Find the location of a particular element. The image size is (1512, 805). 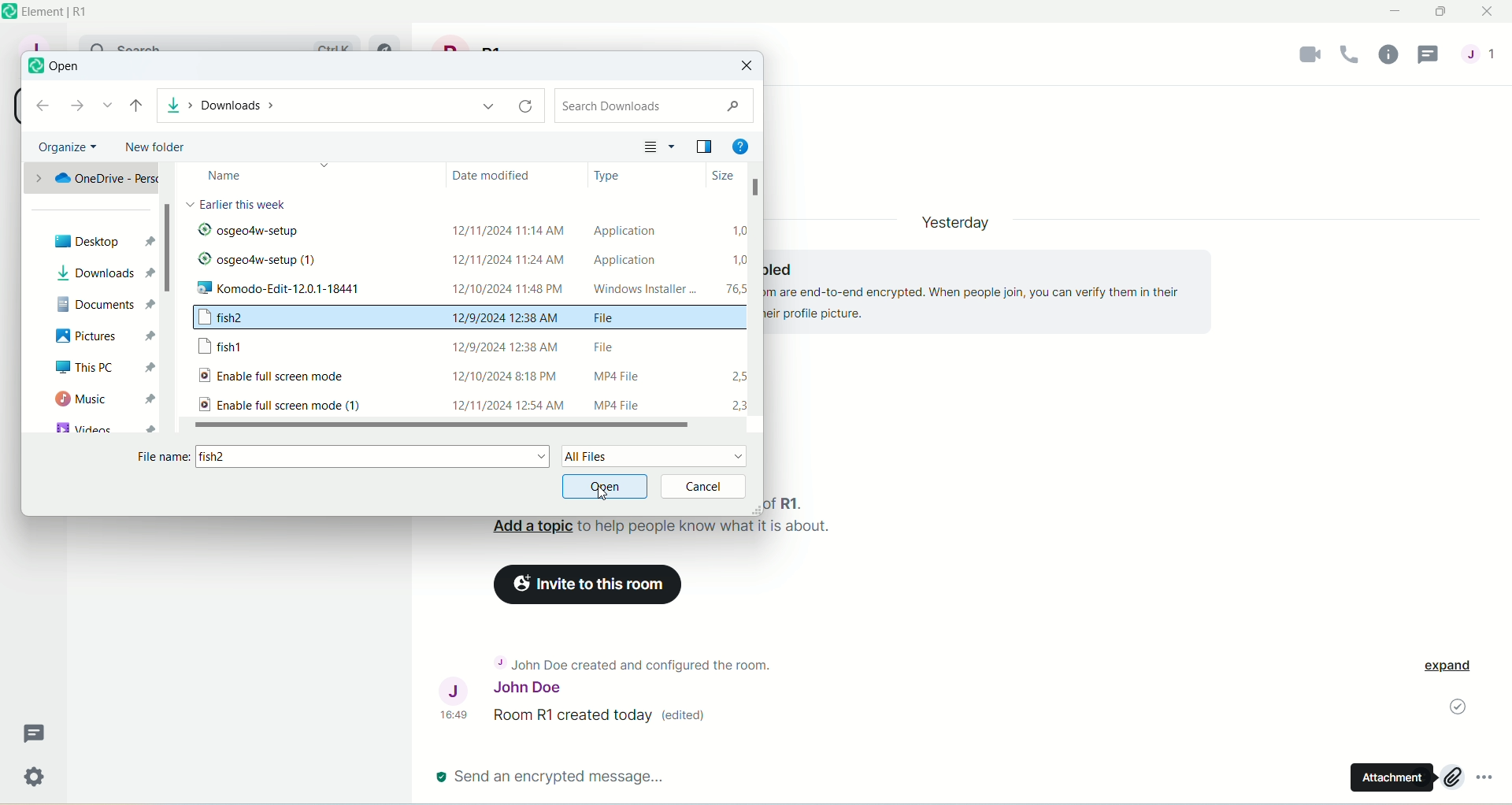

all files is located at coordinates (654, 456).